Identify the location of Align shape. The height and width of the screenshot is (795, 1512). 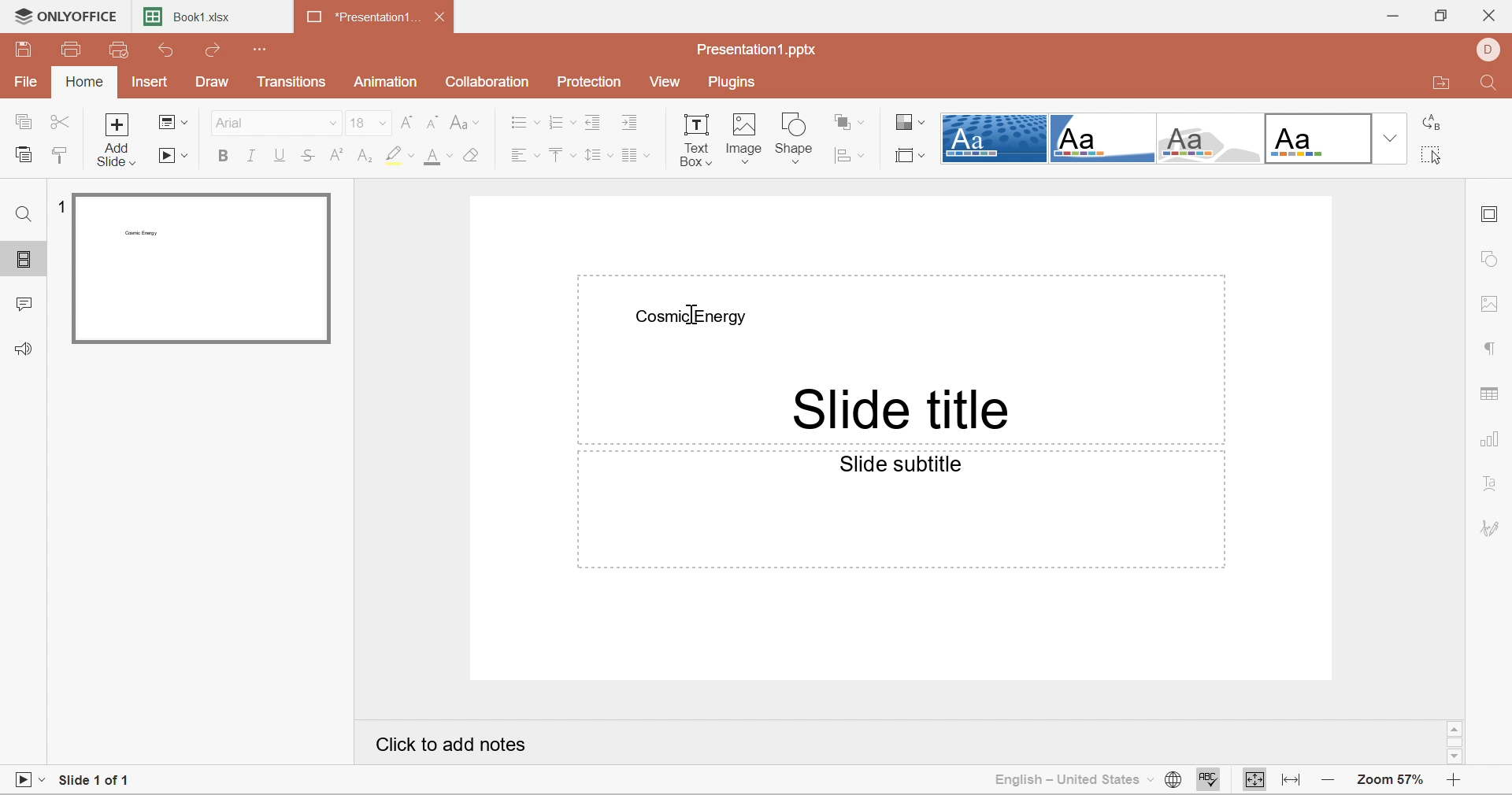
(851, 155).